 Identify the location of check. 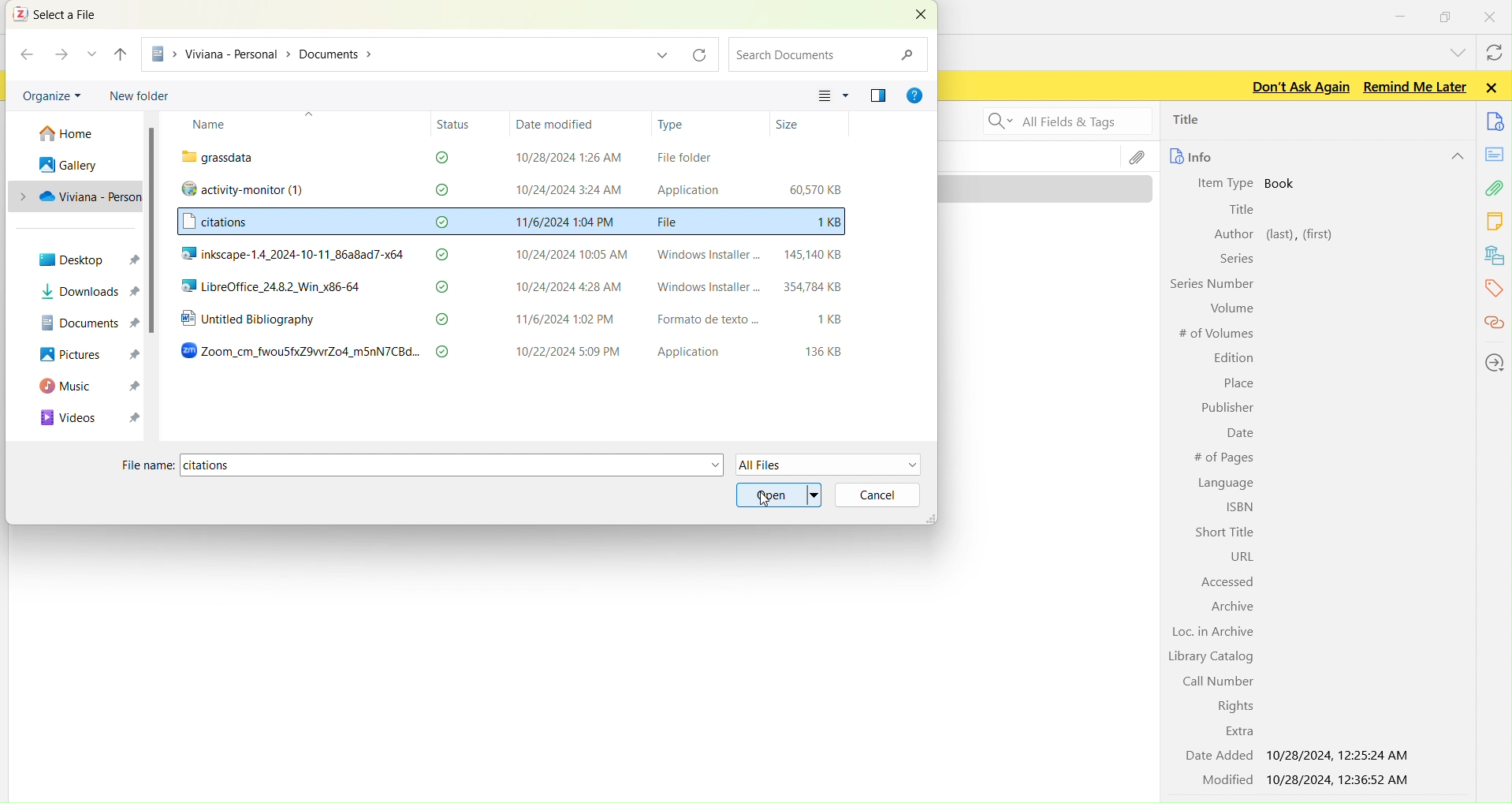
(441, 157).